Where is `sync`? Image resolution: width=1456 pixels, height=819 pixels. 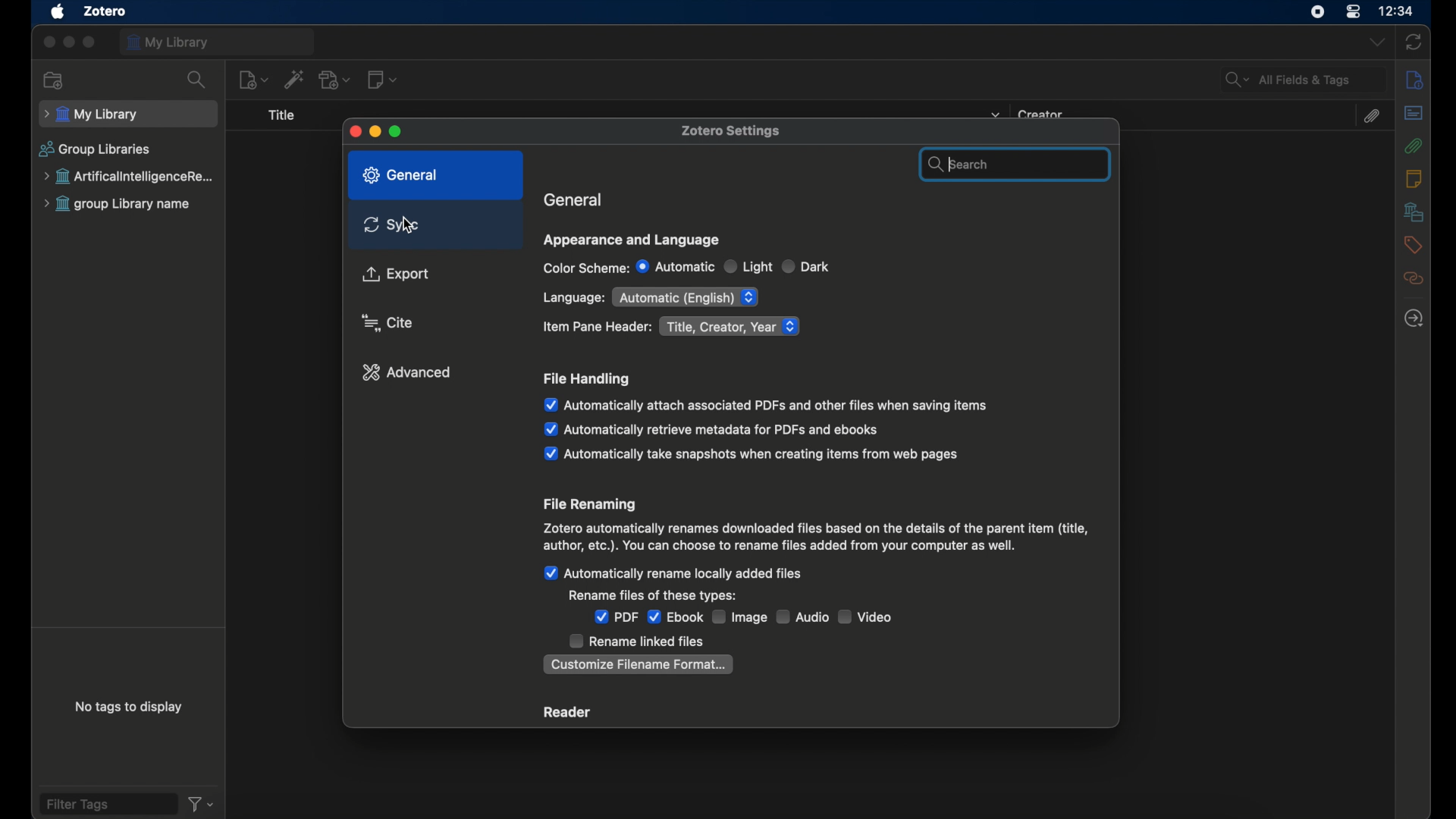
sync is located at coordinates (391, 225).